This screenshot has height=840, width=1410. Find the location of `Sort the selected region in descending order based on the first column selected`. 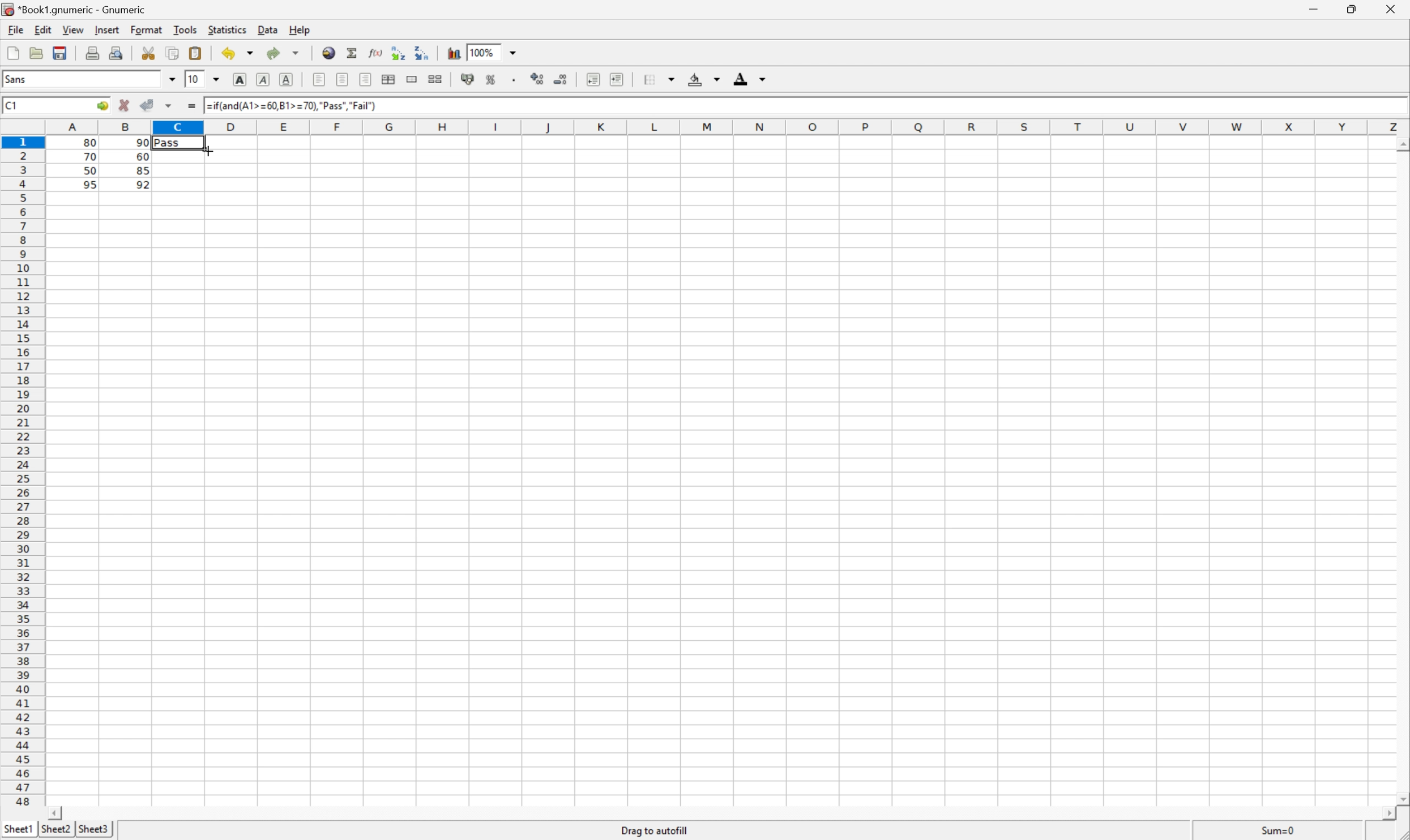

Sort the selected region in descending order based on the first column selected is located at coordinates (424, 54).